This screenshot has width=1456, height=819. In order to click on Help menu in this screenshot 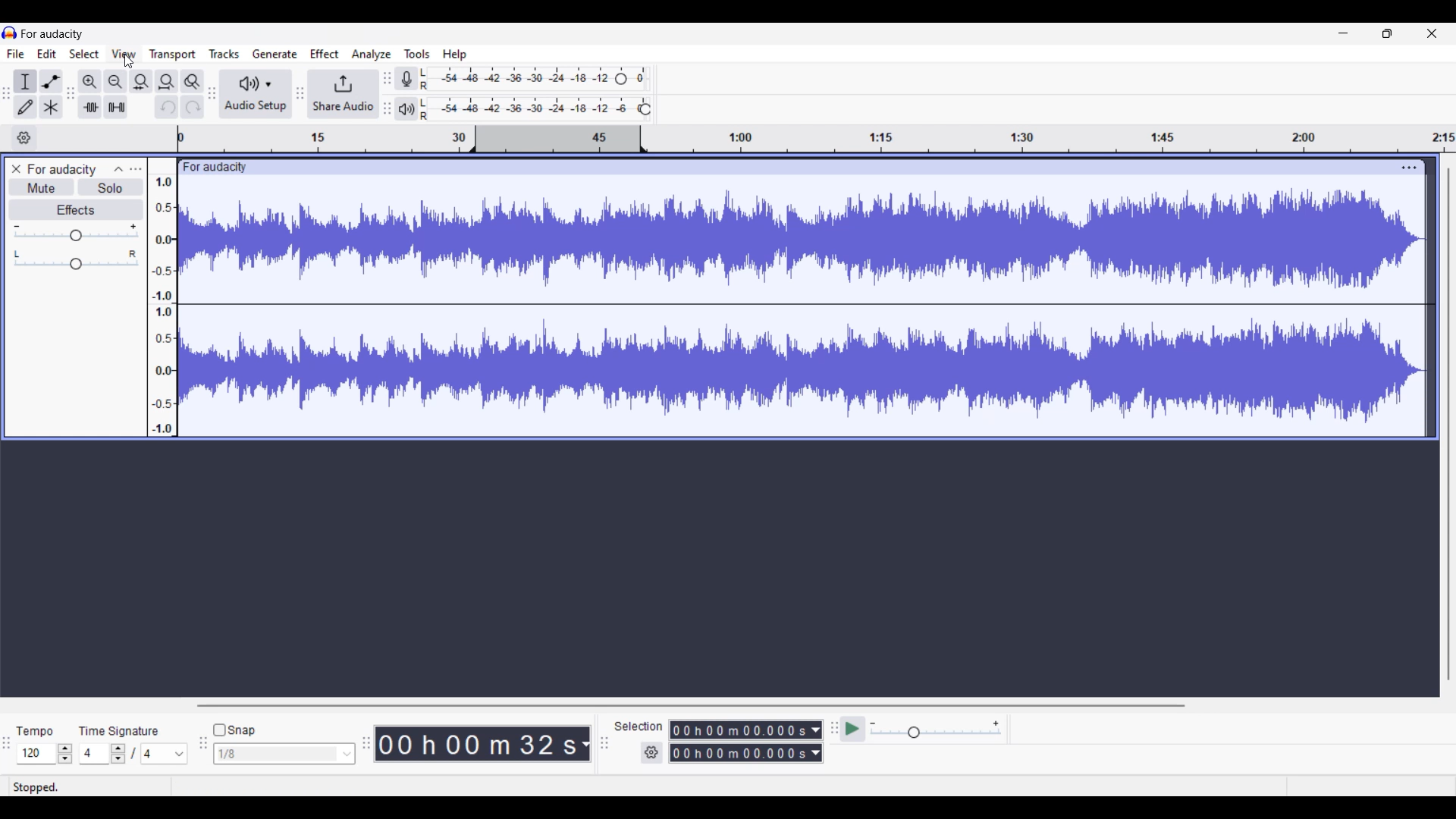, I will do `click(455, 55)`.